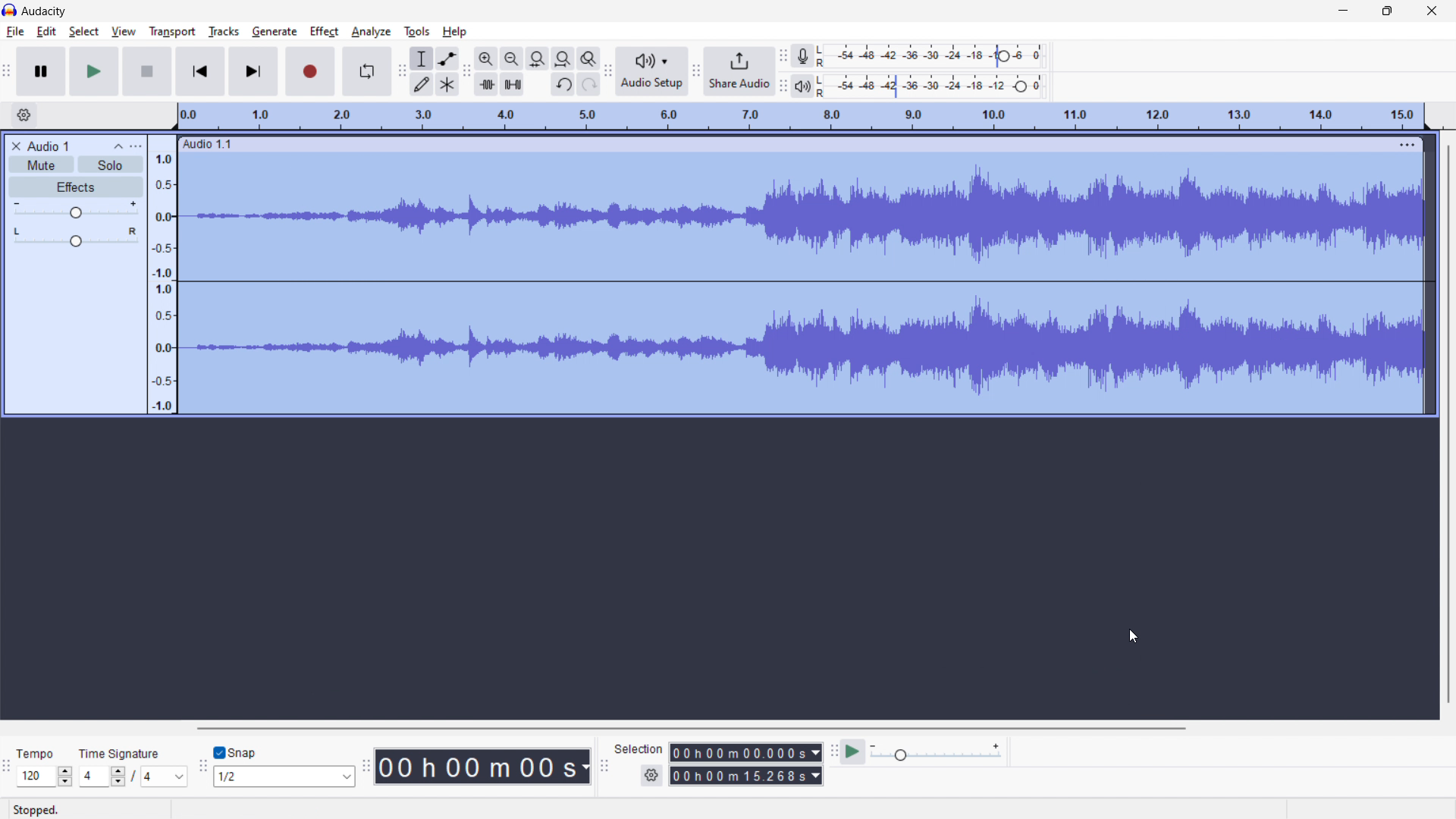  Describe the element at coordinates (77, 210) in the screenshot. I see `volume` at that location.